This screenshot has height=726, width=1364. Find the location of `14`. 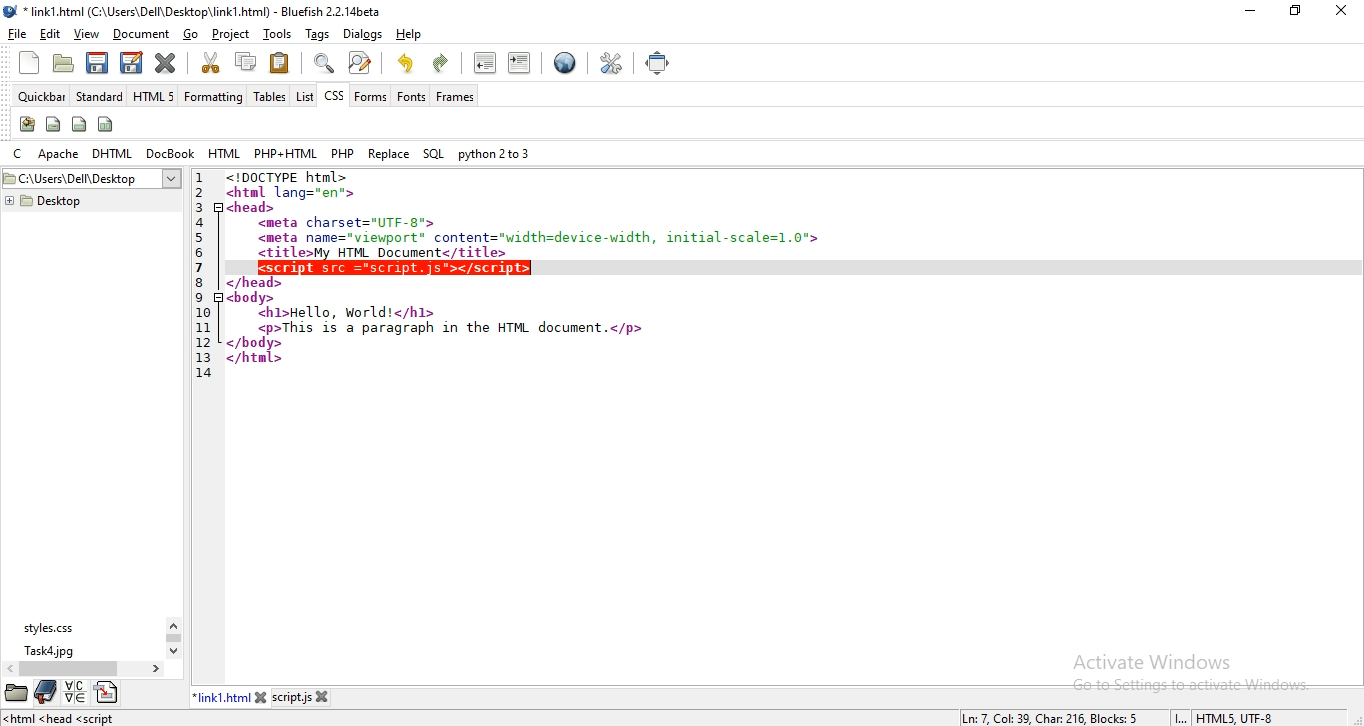

14 is located at coordinates (204, 374).